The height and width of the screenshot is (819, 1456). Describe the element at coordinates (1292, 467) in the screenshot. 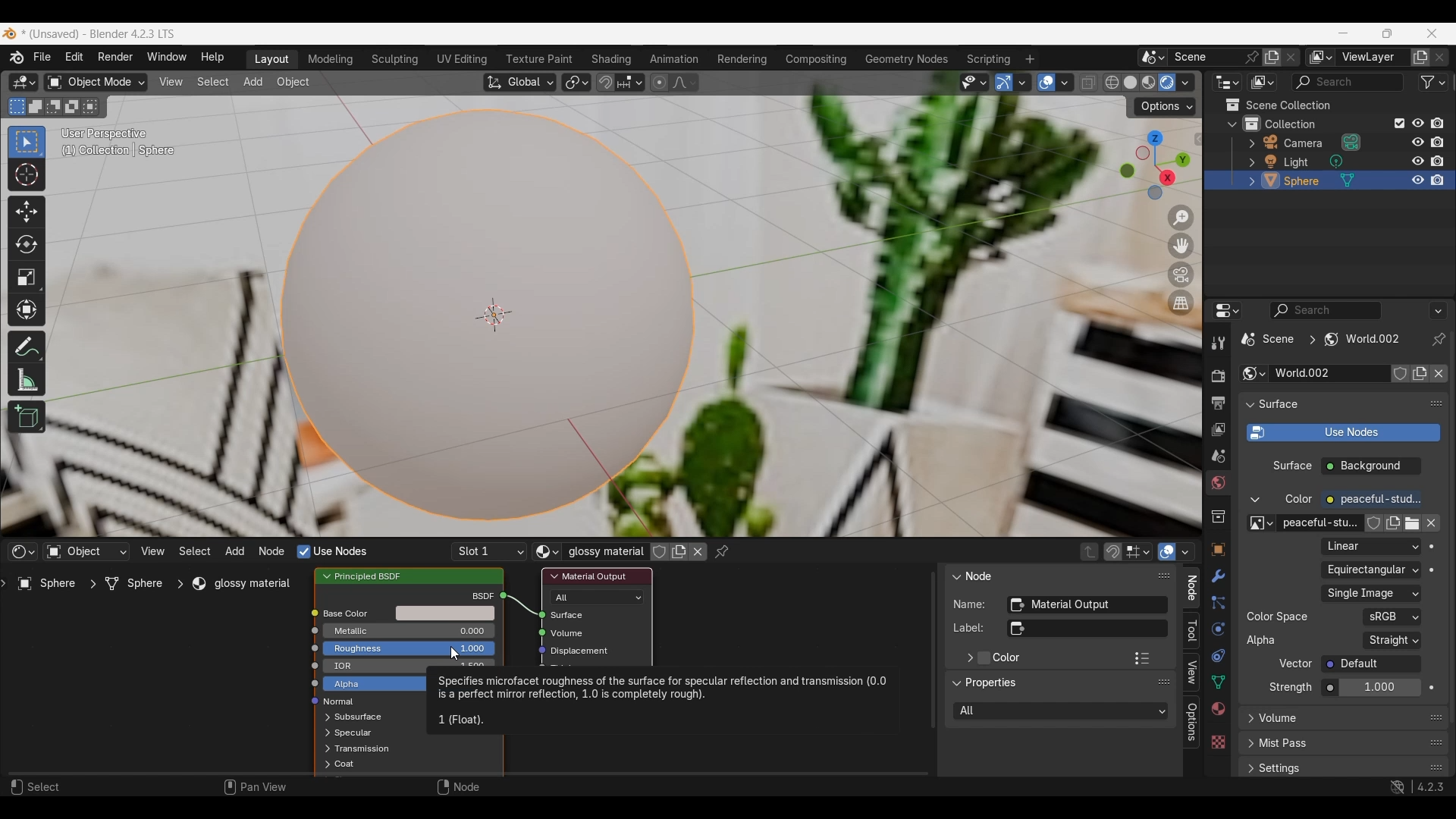

I see `surface` at that location.